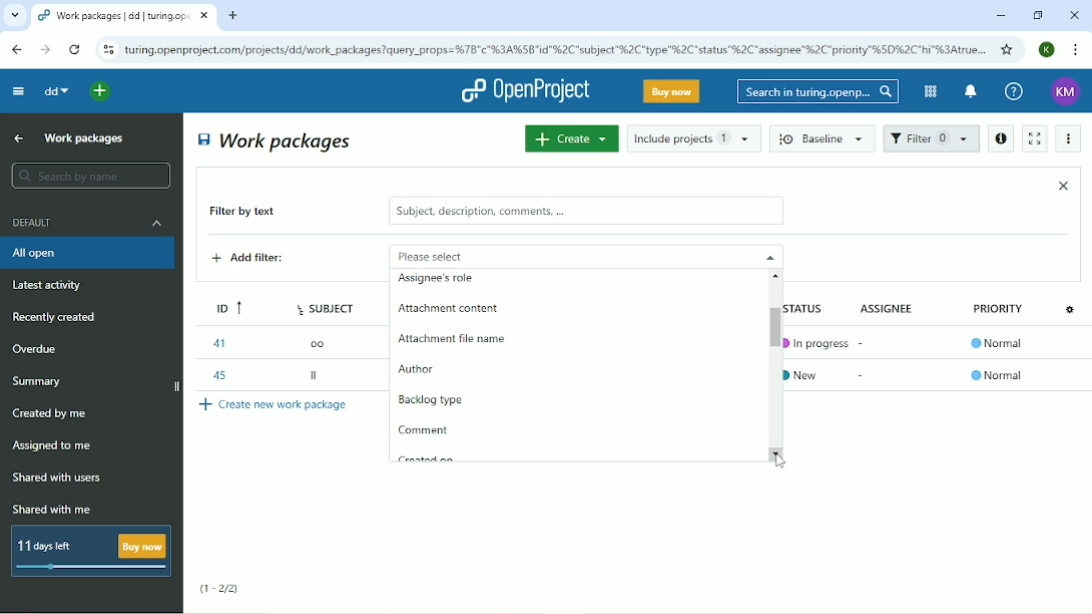 The image size is (1092, 614). I want to click on Subject, so click(328, 305).